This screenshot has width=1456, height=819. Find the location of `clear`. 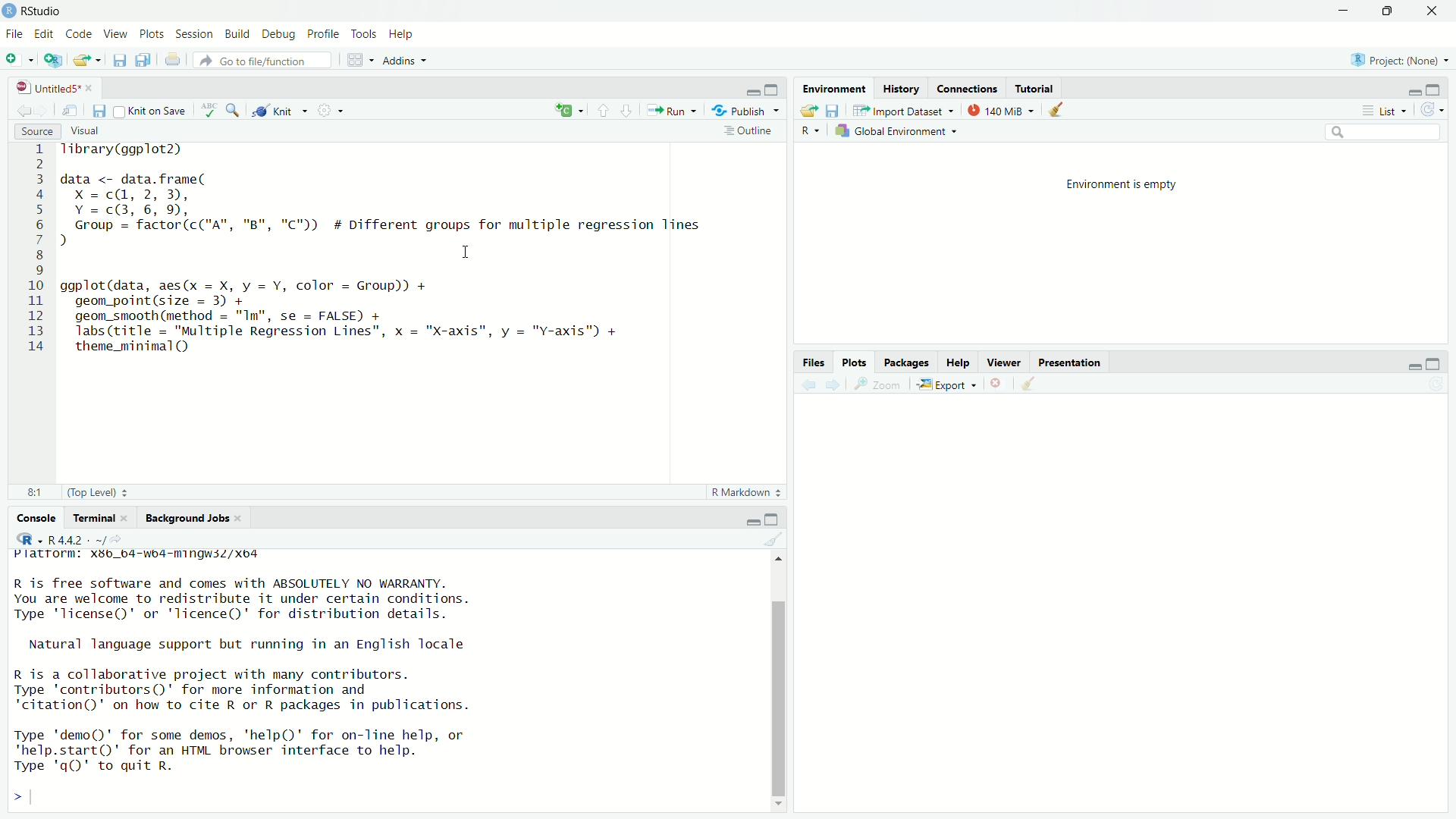

clear is located at coordinates (769, 540).